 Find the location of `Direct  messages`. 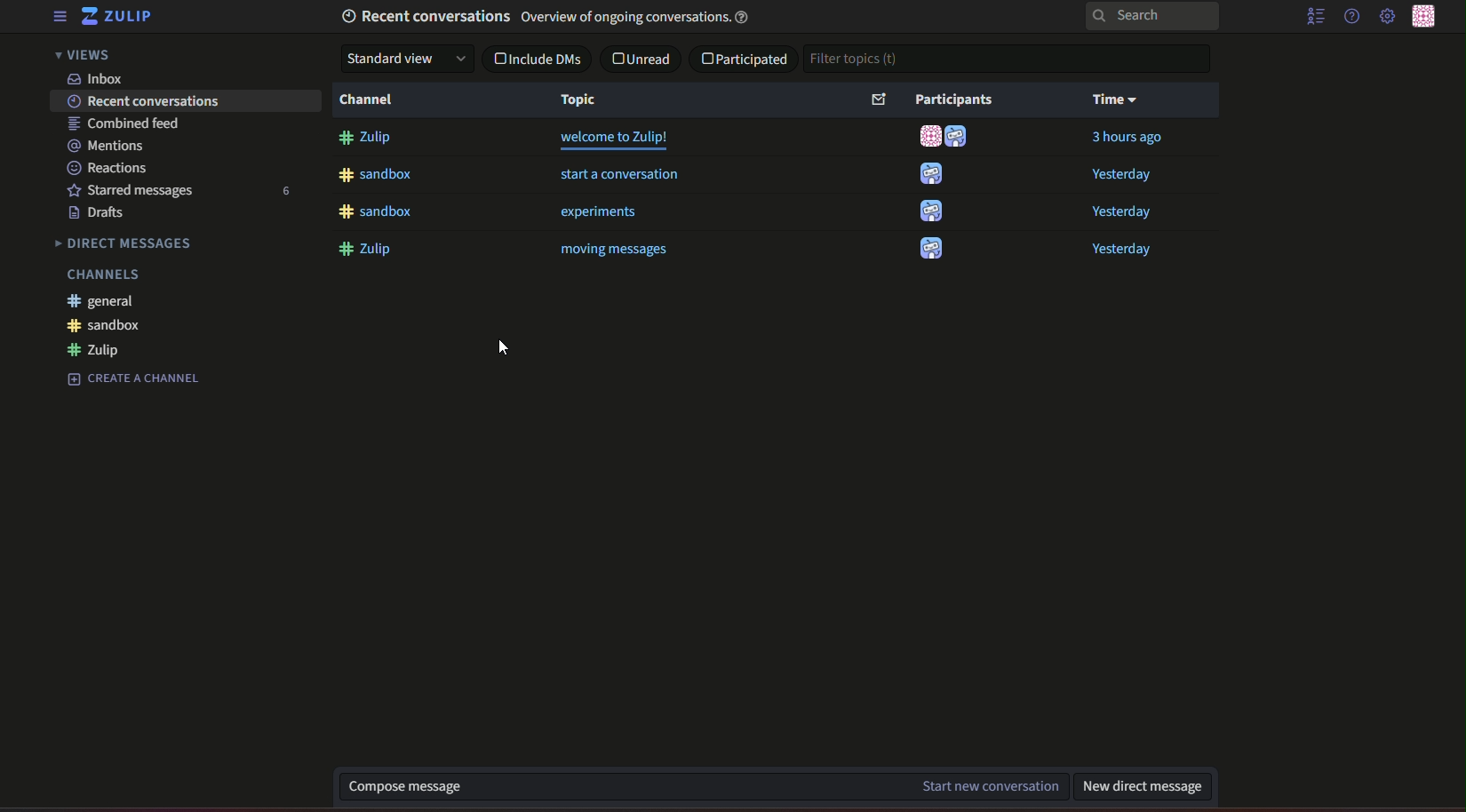

Direct  messages is located at coordinates (127, 242).